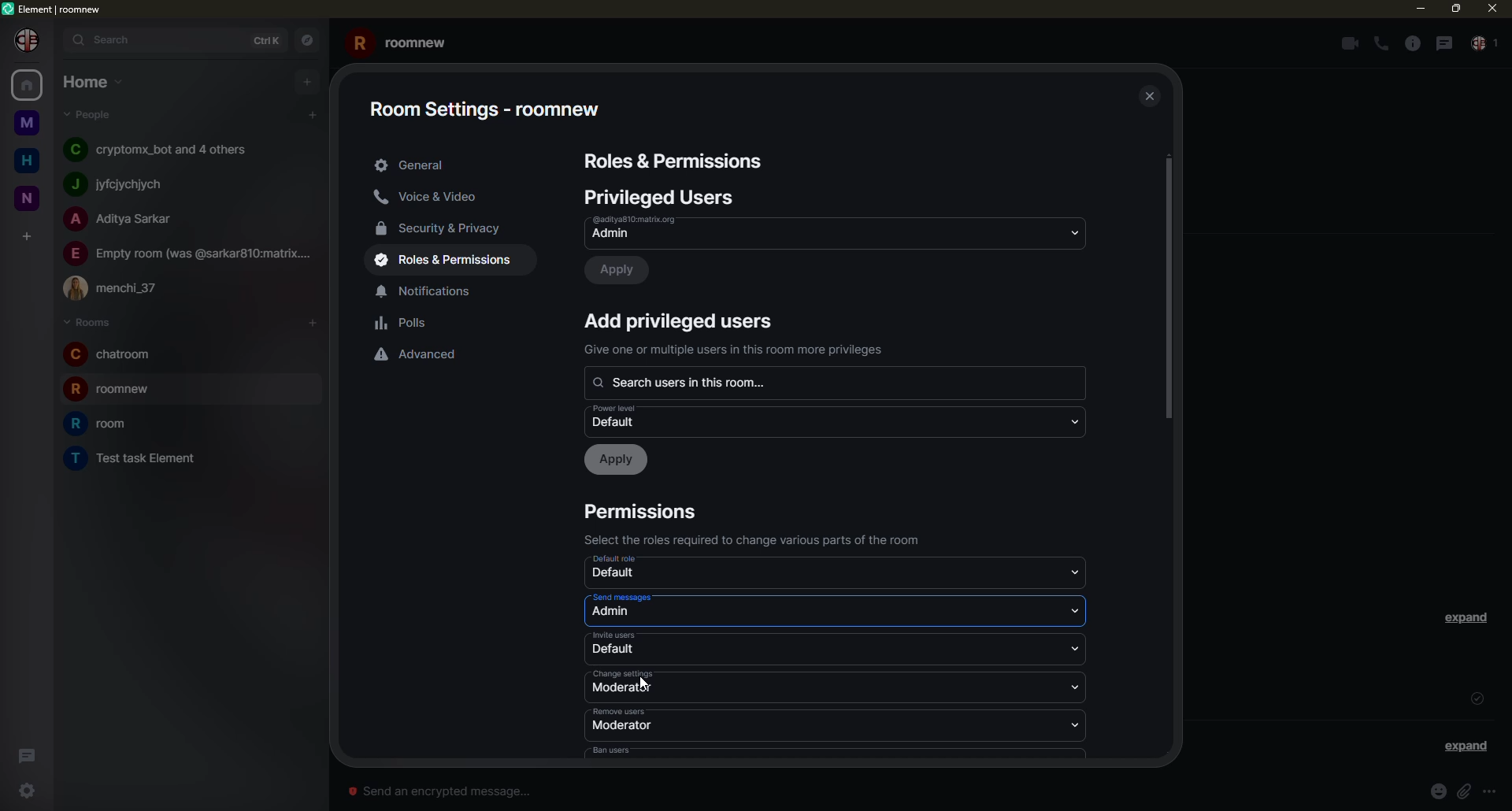  What do you see at coordinates (621, 597) in the screenshot?
I see `send message` at bounding box center [621, 597].